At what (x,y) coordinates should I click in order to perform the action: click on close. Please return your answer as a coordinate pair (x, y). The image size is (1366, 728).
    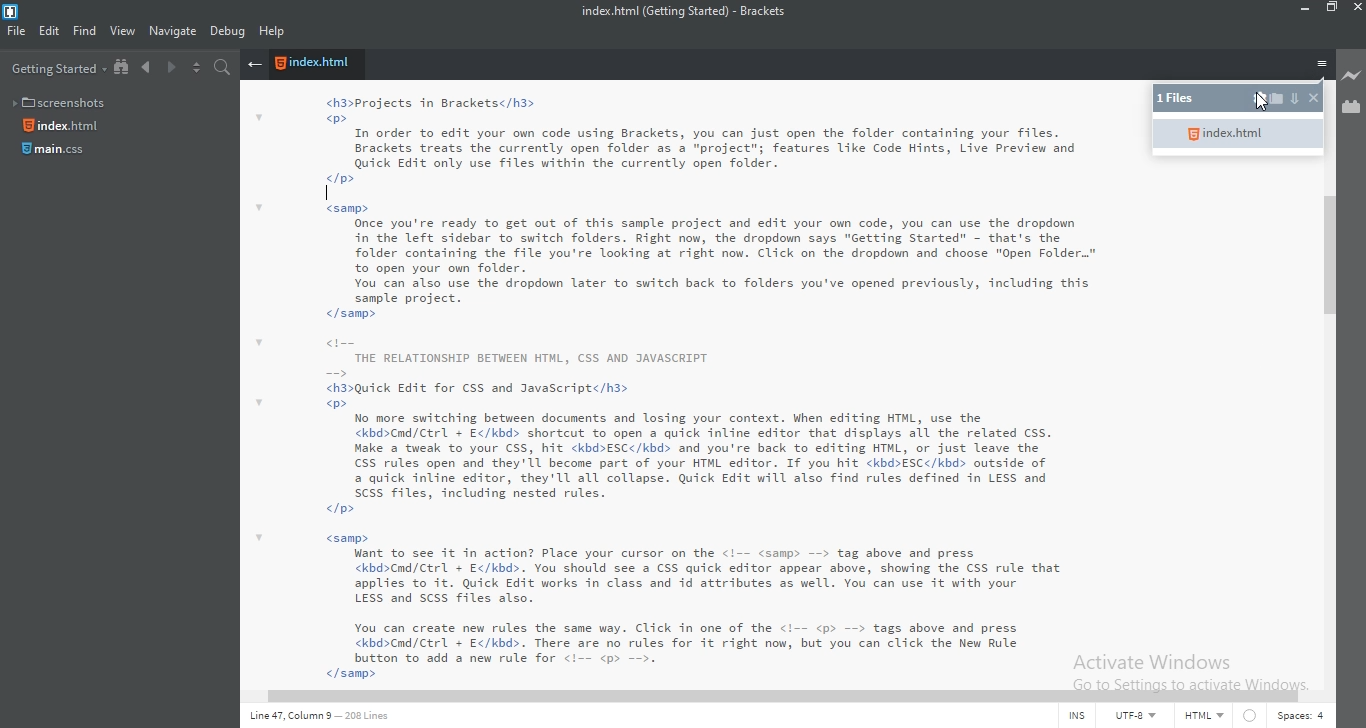
    Looking at the image, I should click on (1357, 8).